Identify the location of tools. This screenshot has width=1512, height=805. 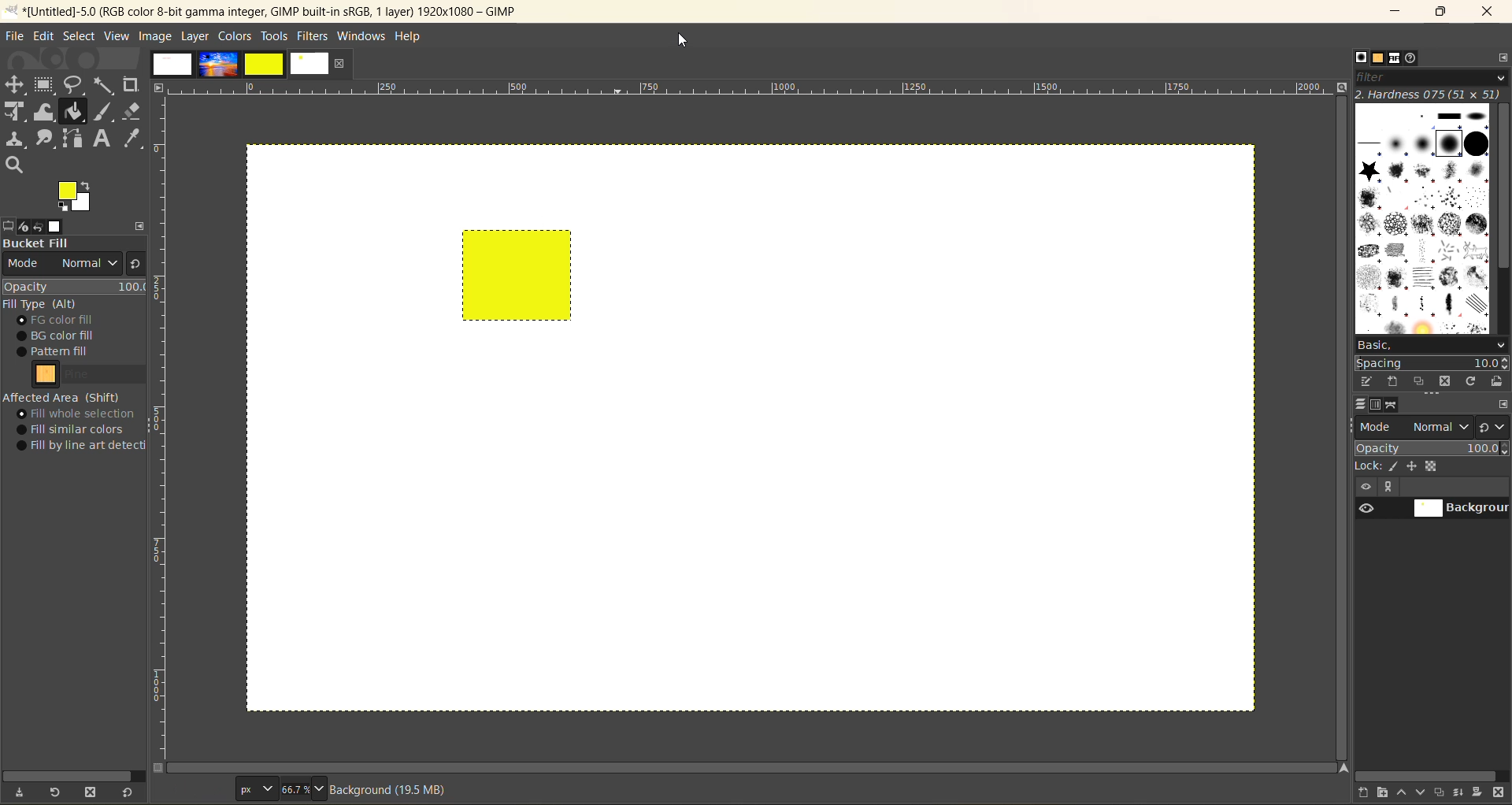
(276, 37).